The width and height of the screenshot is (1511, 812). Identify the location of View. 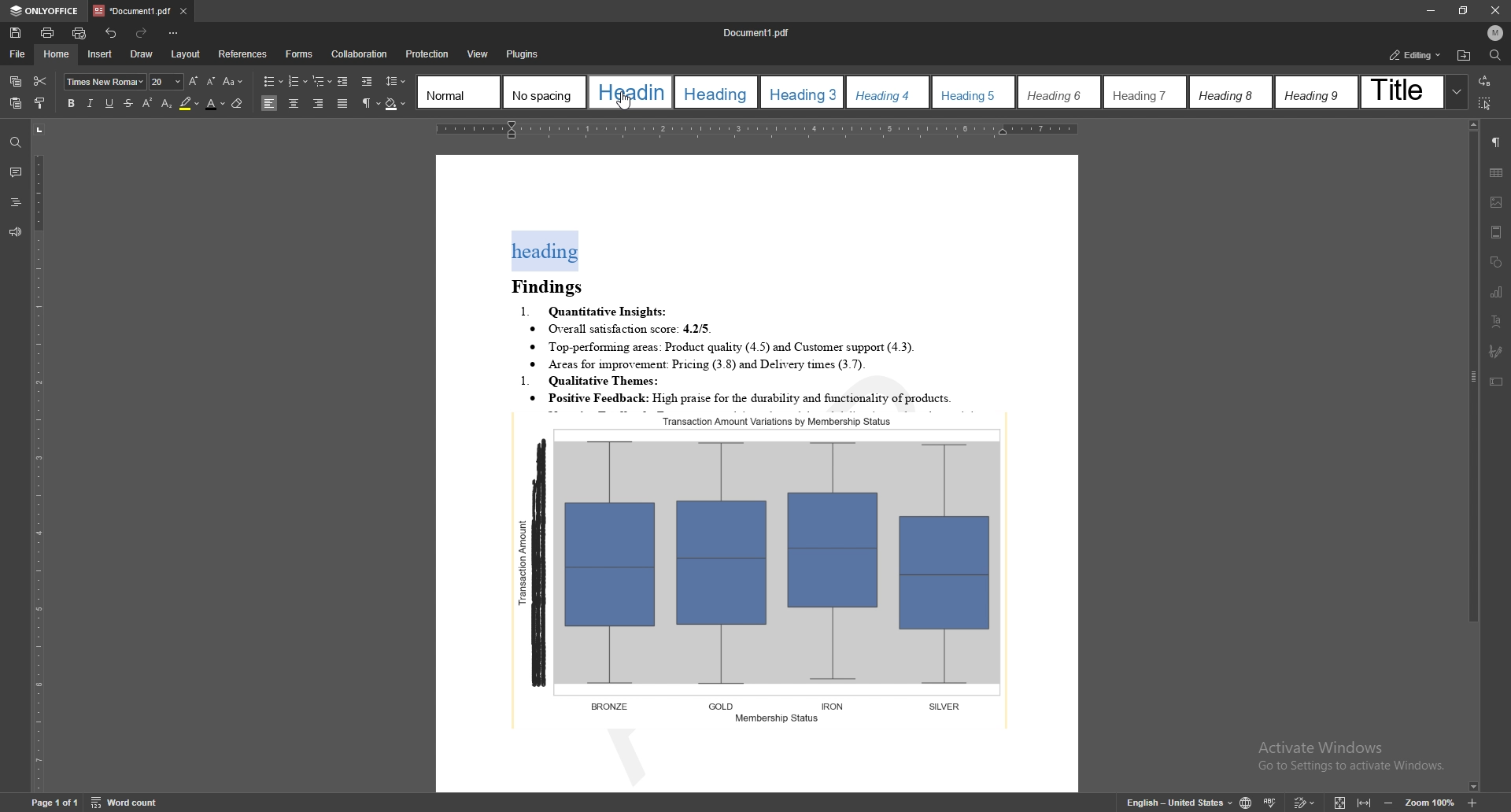
(475, 54).